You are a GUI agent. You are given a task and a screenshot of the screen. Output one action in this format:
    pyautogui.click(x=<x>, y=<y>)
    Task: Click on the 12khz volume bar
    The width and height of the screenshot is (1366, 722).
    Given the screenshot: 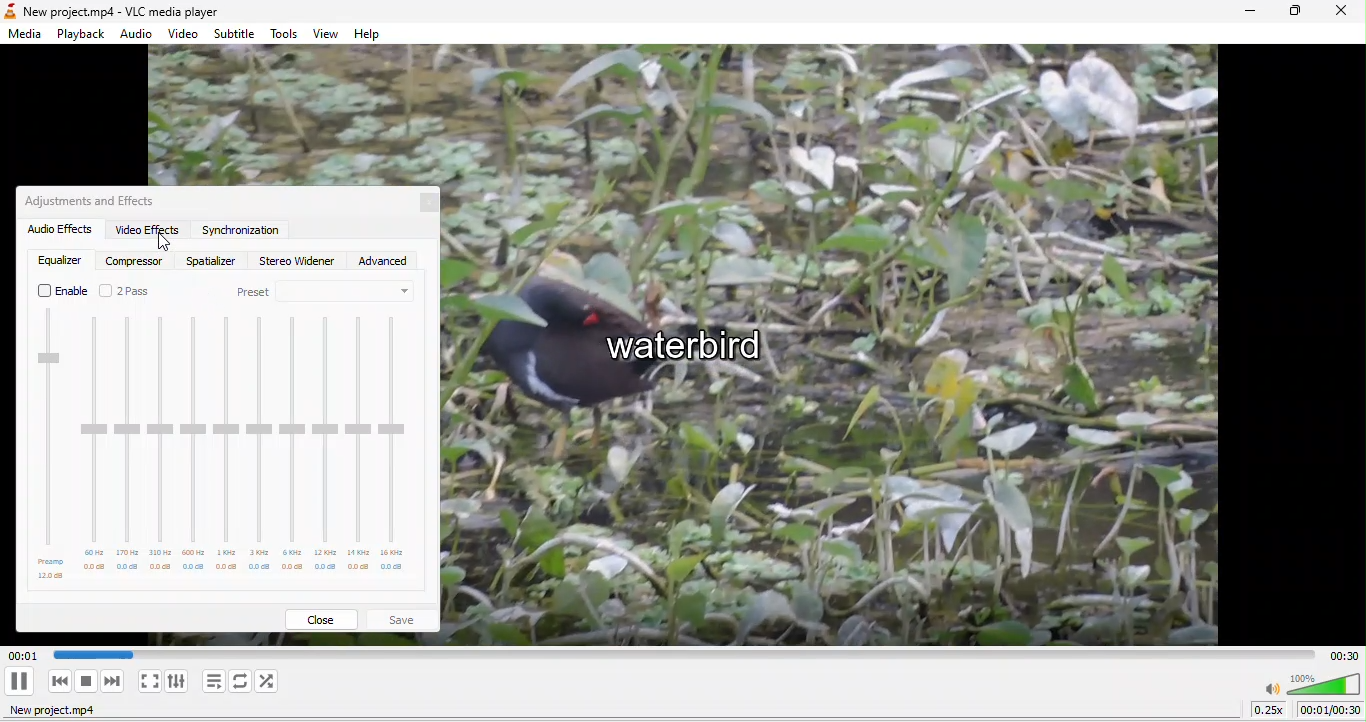 What is the action you would take?
    pyautogui.click(x=325, y=445)
    